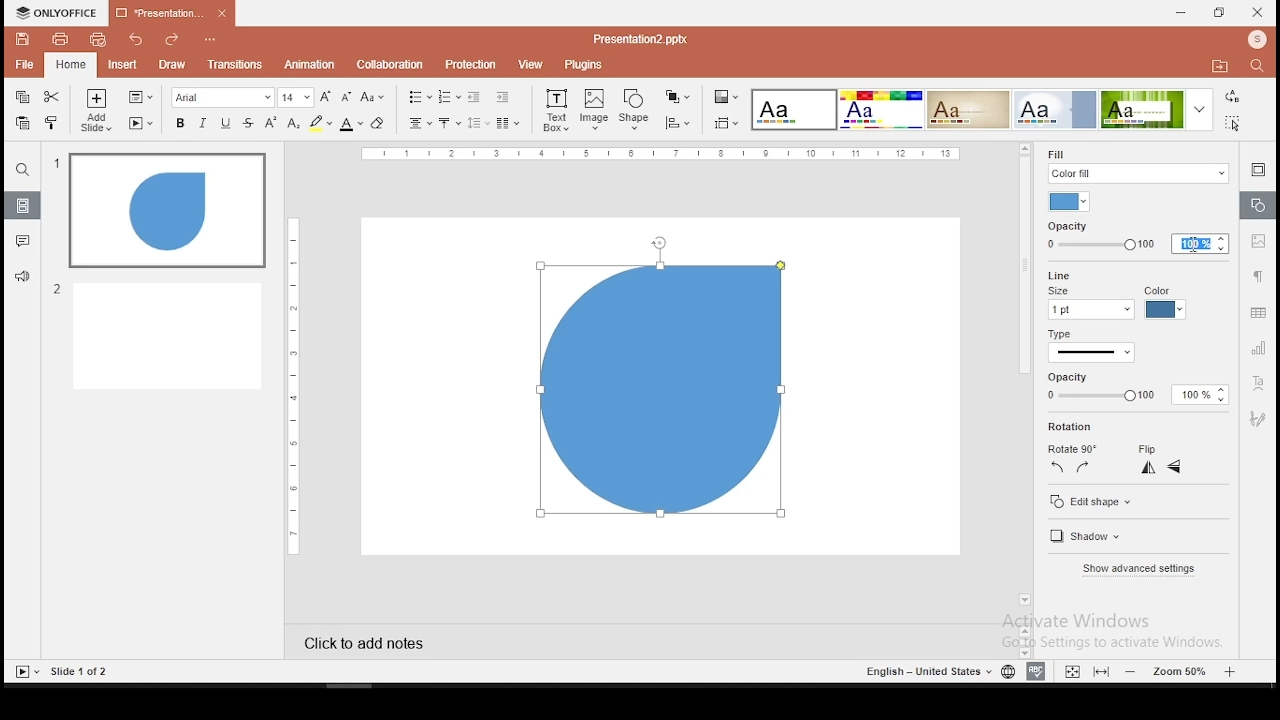 Image resolution: width=1280 pixels, height=720 pixels. What do you see at coordinates (638, 39) in the screenshot?
I see `presentation` at bounding box center [638, 39].